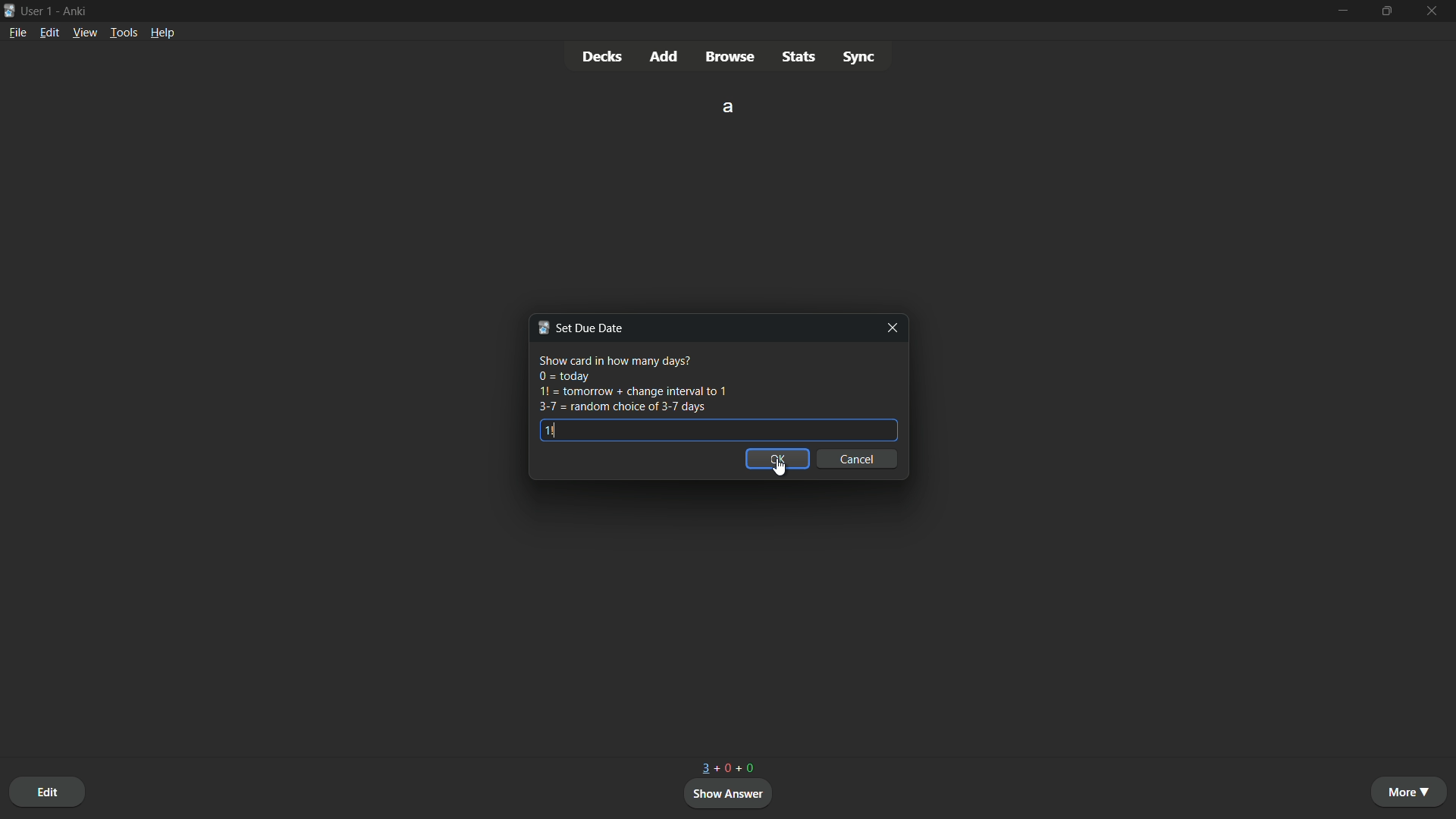 The width and height of the screenshot is (1456, 819). Describe the element at coordinates (164, 32) in the screenshot. I see `help menu` at that location.